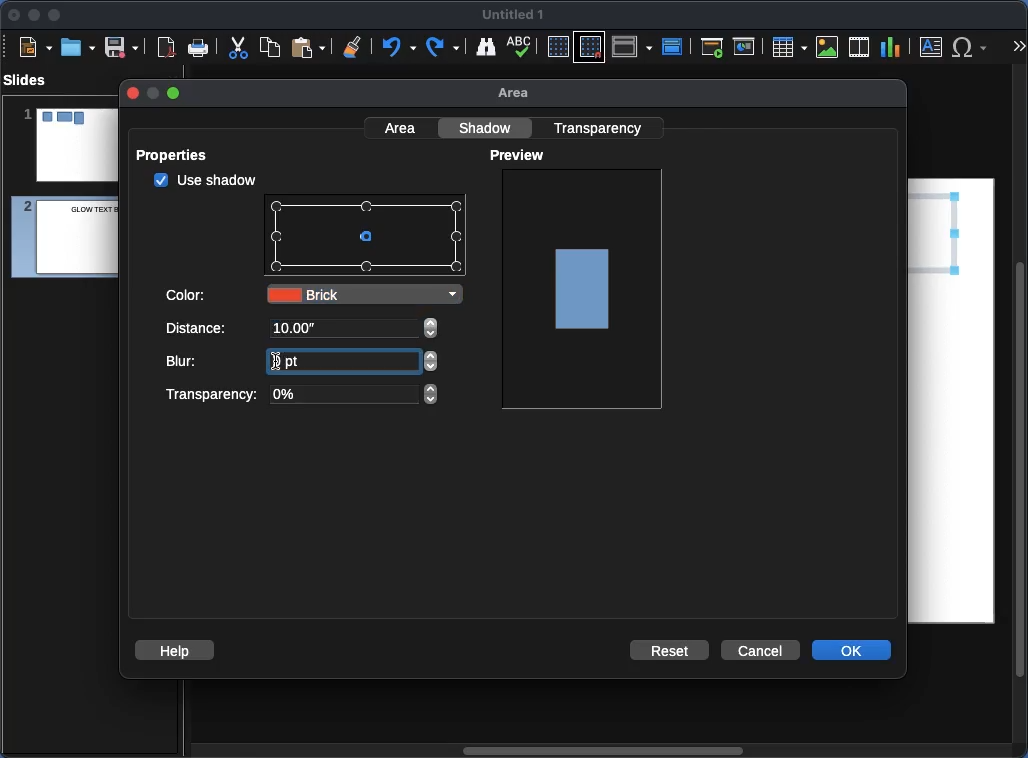 Image resolution: width=1028 pixels, height=758 pixels. Describe the element at coordinates (599, 752) in the screenshot. I see `Scroll` at that location.